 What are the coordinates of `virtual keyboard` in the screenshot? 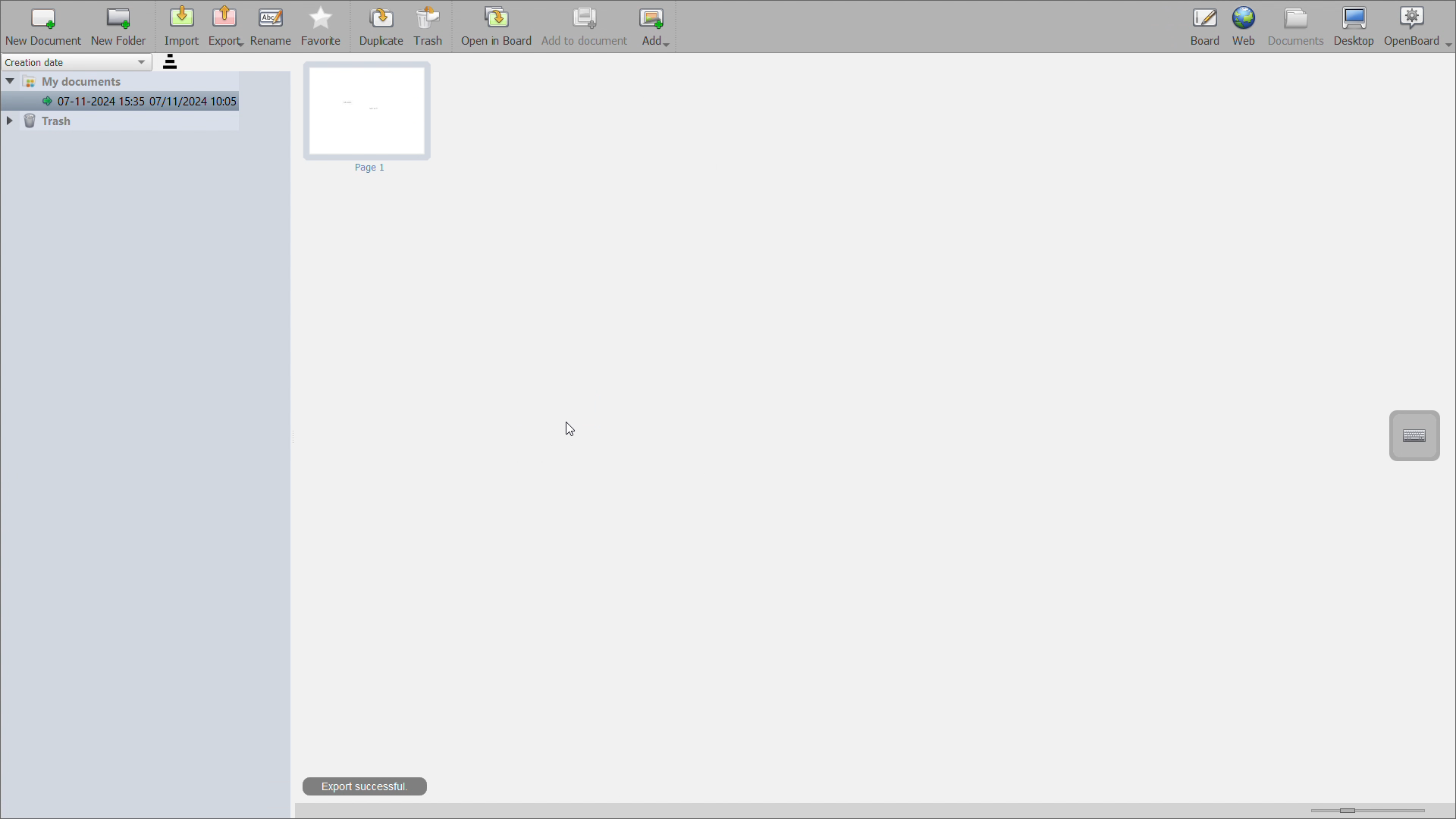 It's located at (1414, 435).